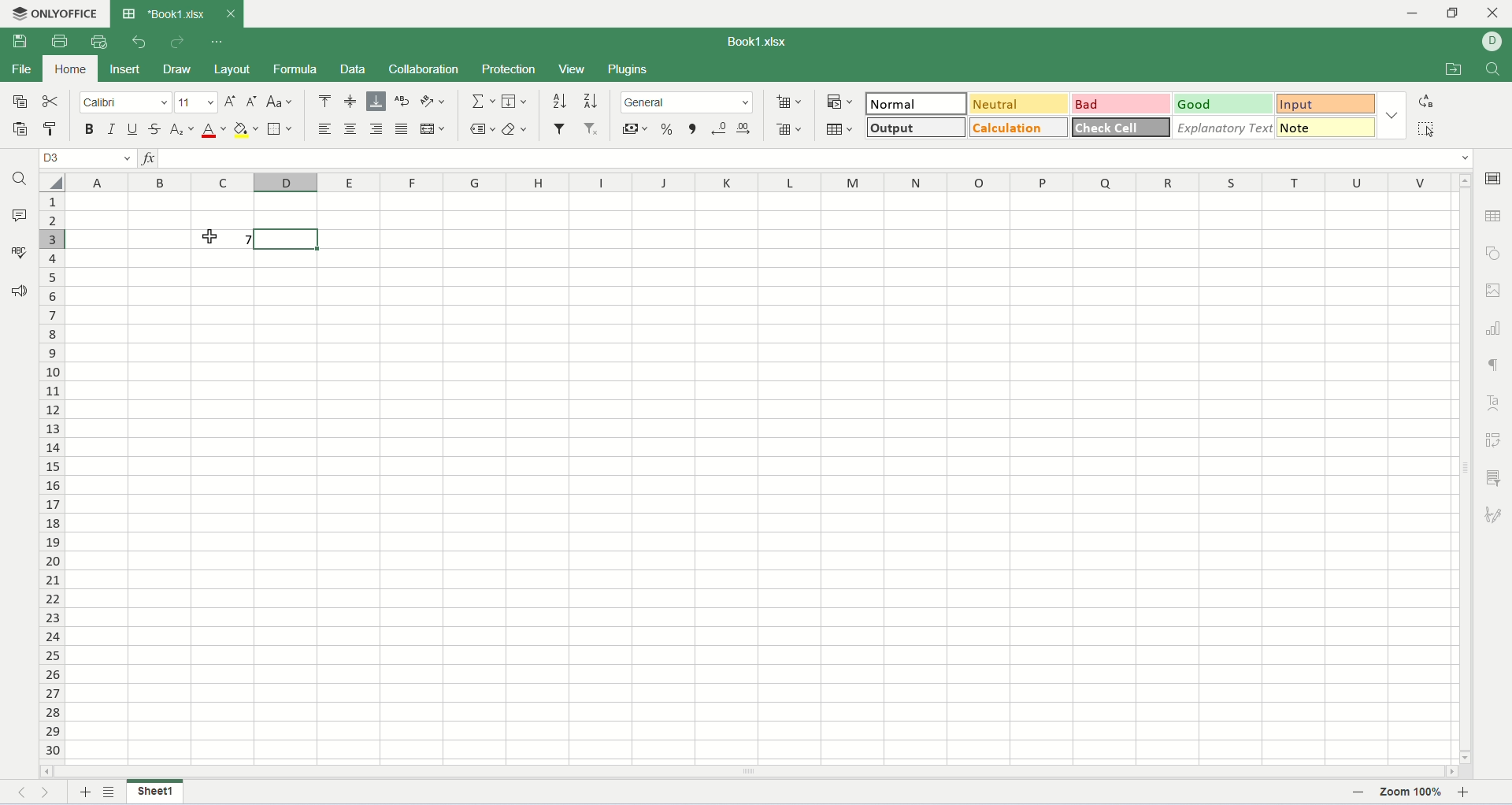 The height and width of the screenshot is (805, 1512). What do you see at coordinates (1495, 363) in the screenshot?
I see `paragraph settings` at bounding box center [1495, 363].